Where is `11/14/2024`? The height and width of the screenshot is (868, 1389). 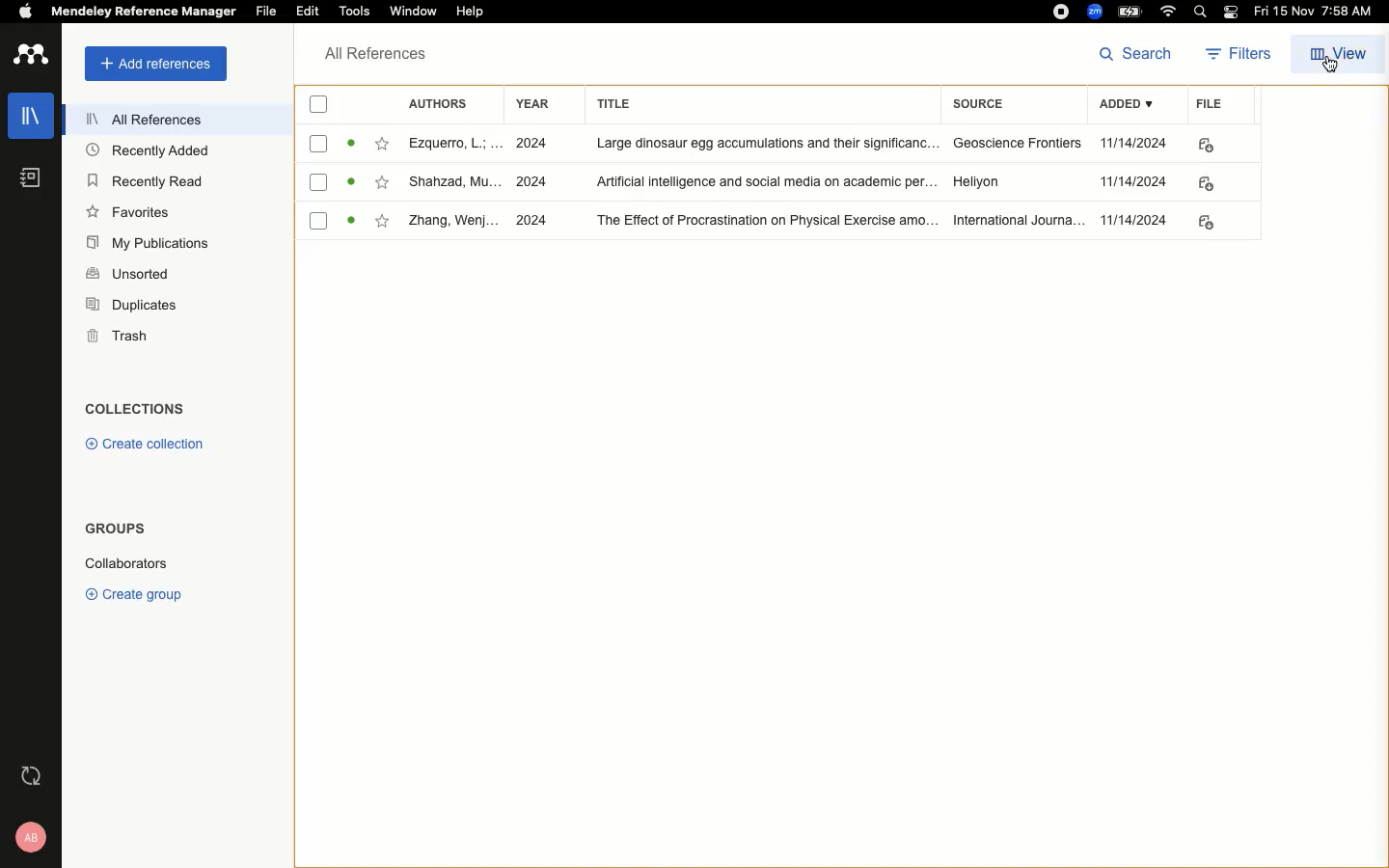 11/14/2024 is located at coordinates (1136, 220).